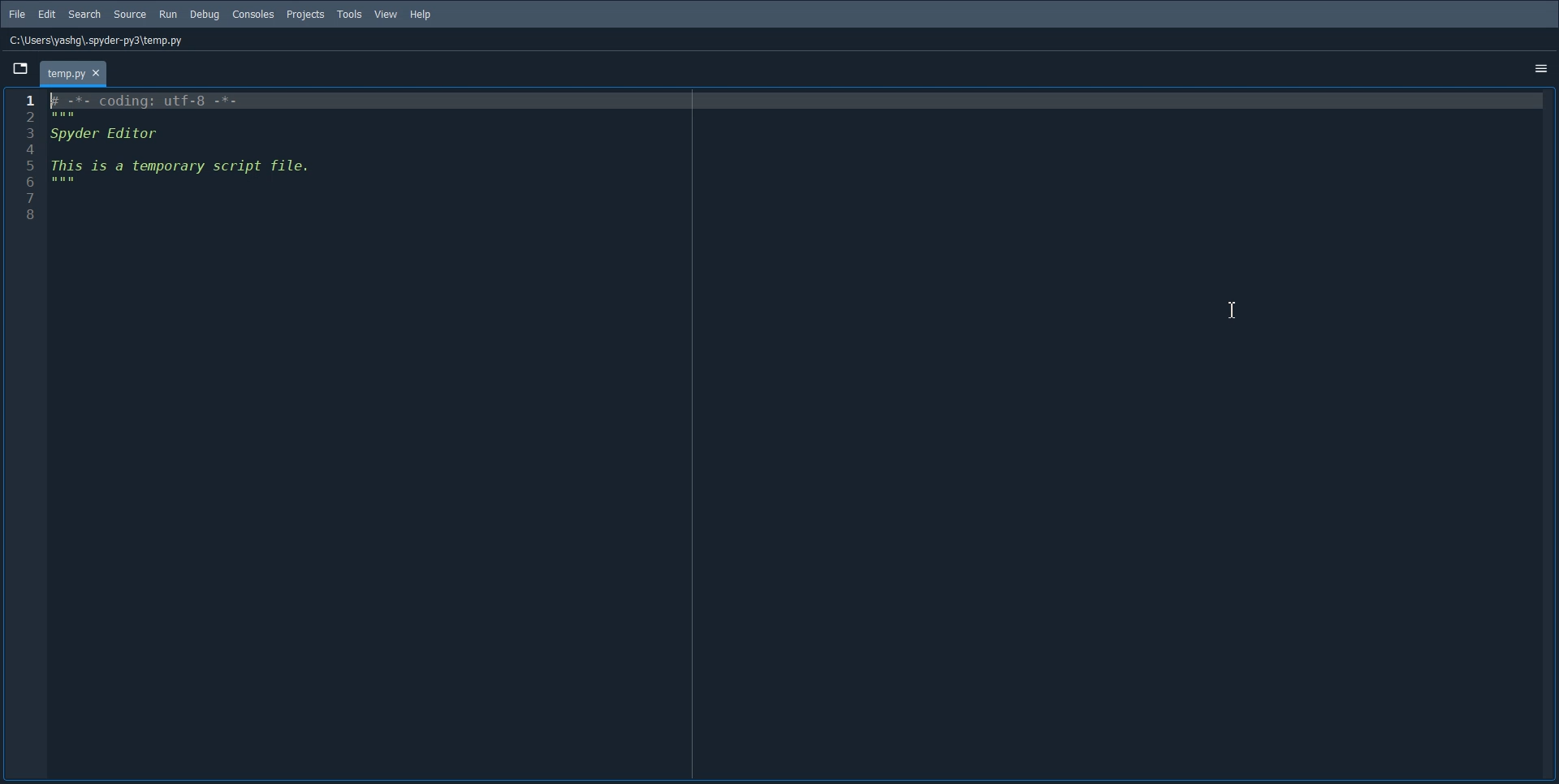 This screenshot has height=784, width=1559. I want to click on Option, so click(1539, 70).